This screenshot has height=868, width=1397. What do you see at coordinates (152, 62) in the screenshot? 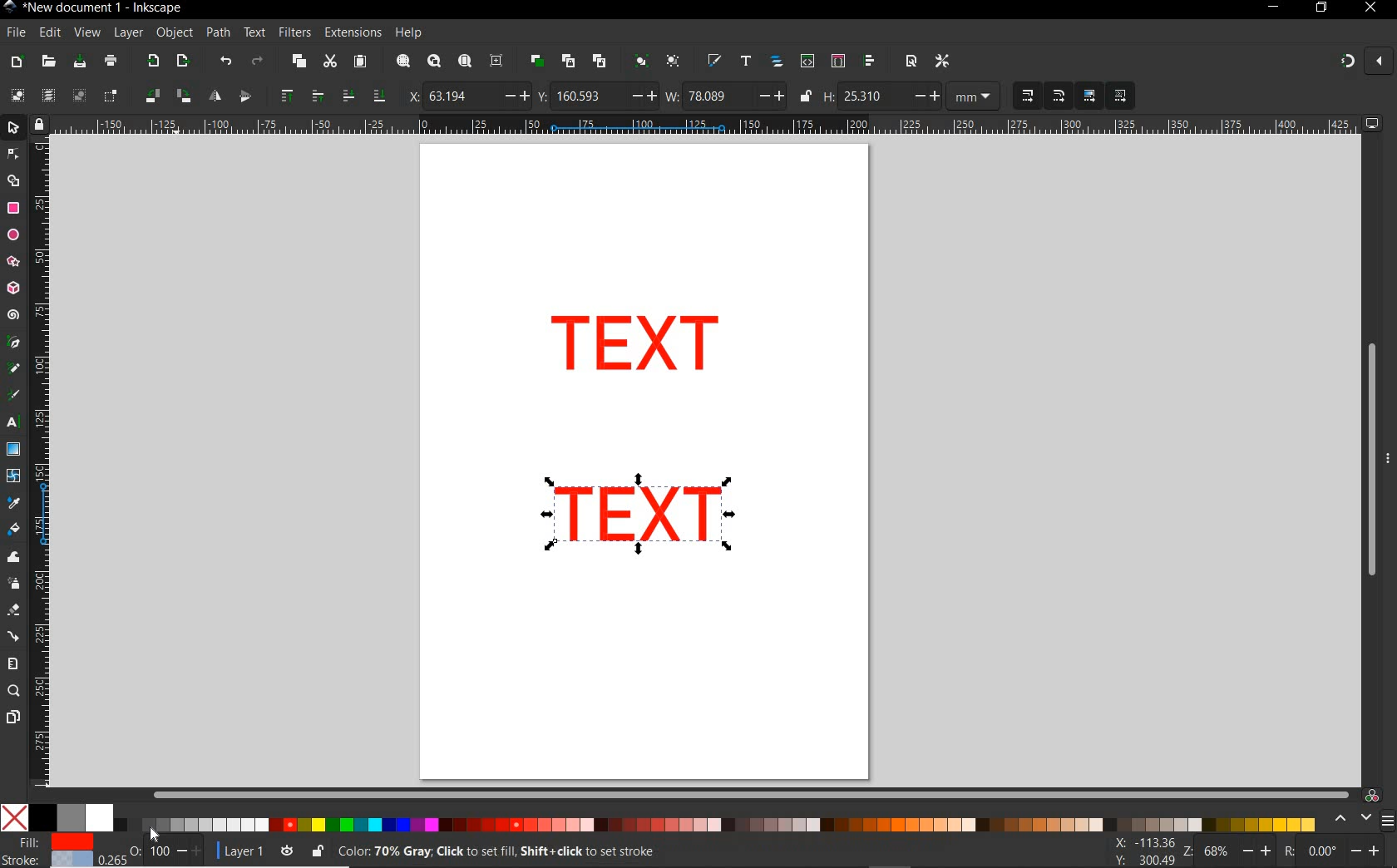
I see `import` at bounding box center [152, 62].